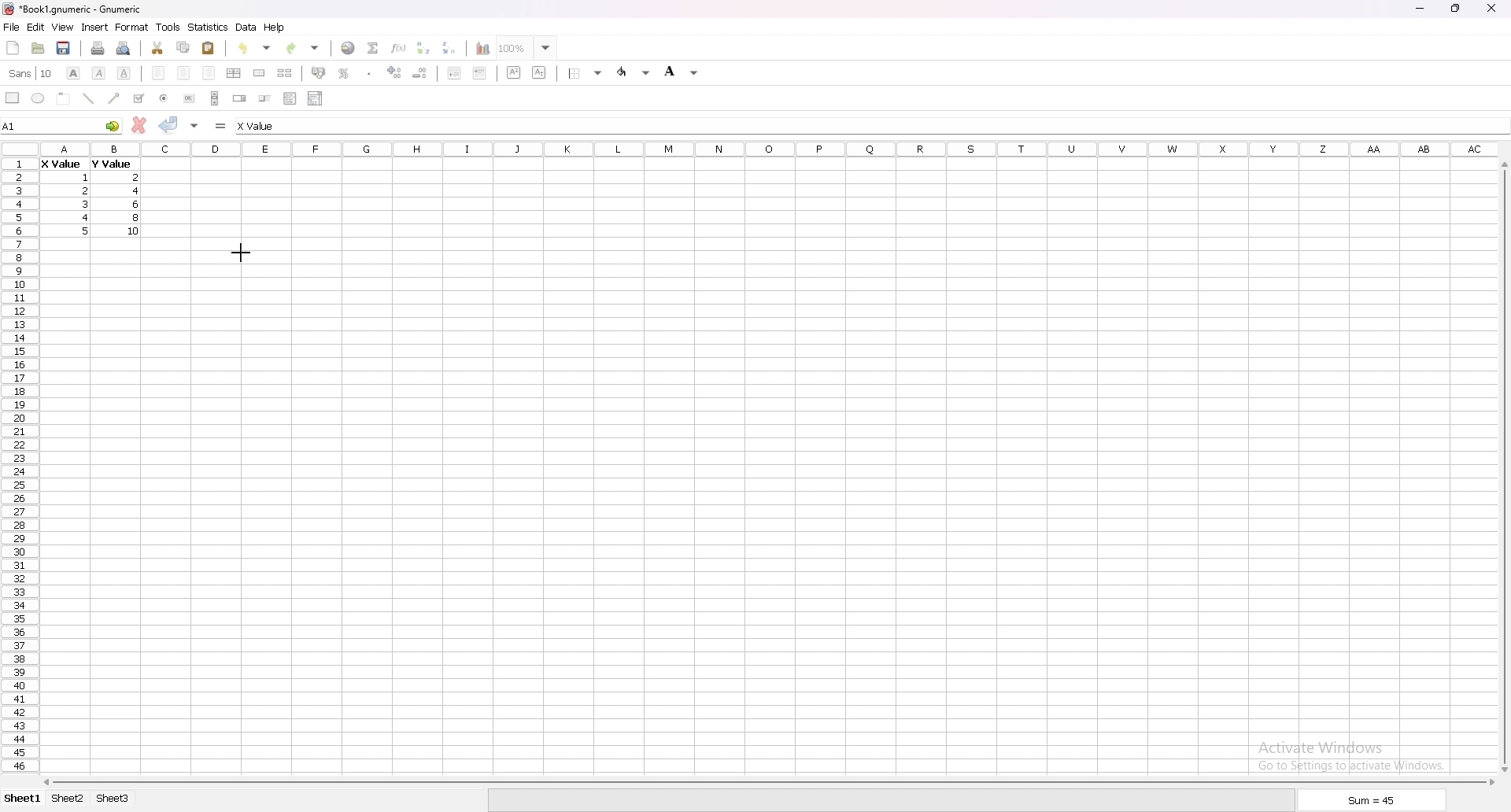 The image size is (1511, 812). What do you see at coordinates (138, 98) in the screenshot?
I see `tickbox` at bounding box center [138, 98].